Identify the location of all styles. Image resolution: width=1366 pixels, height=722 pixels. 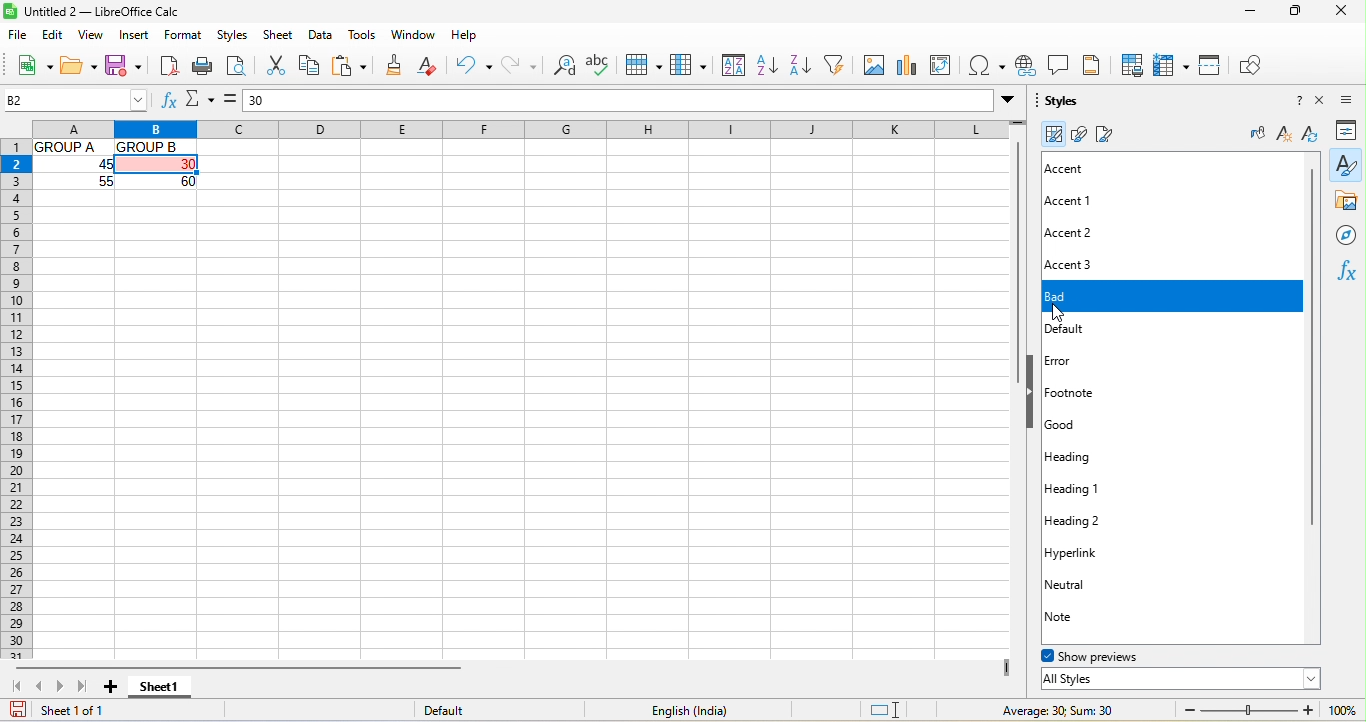
(1178, 679).